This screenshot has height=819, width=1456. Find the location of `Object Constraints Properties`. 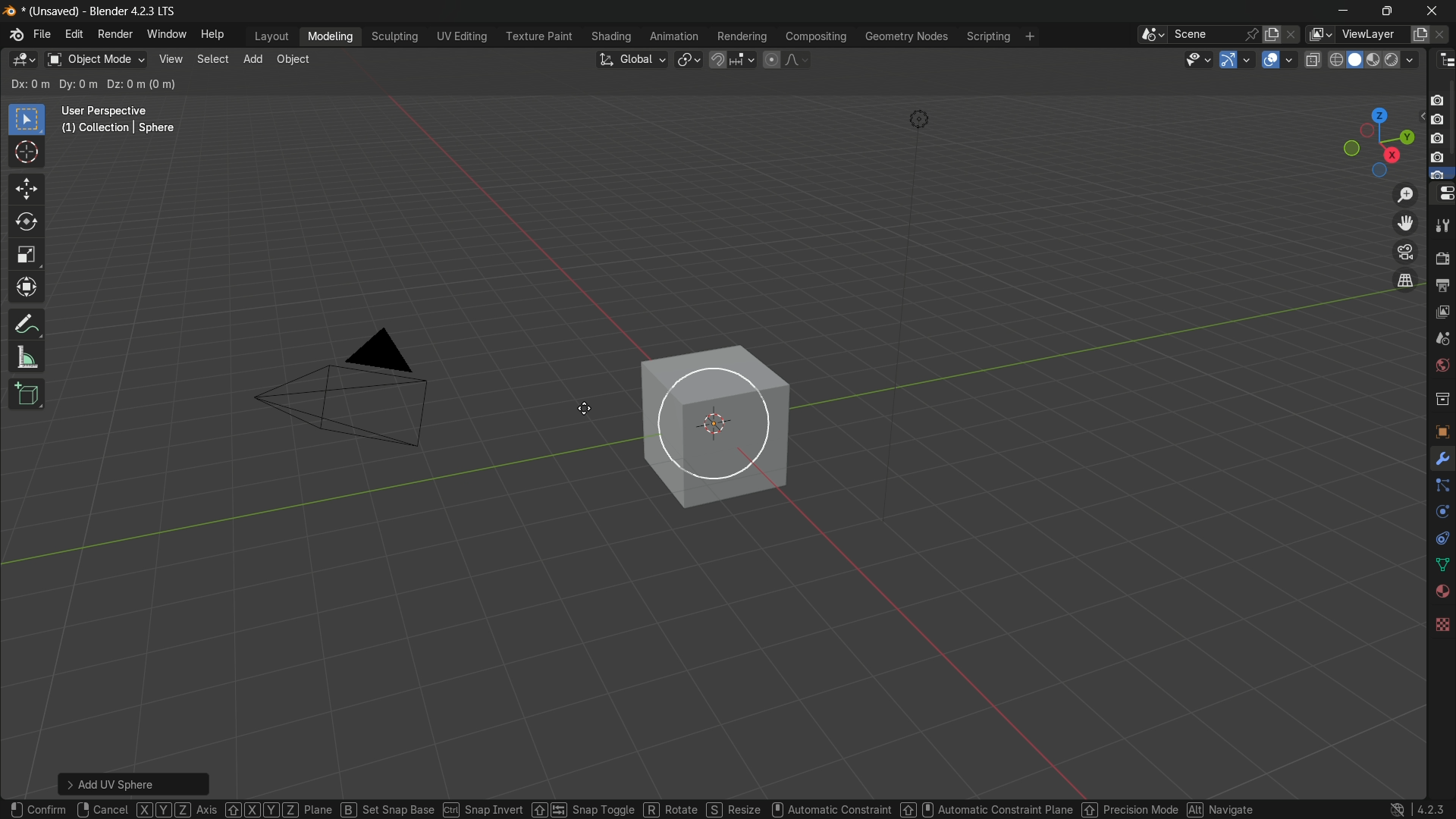

Object Constraints Properties is located at coordinates (1442, 535).